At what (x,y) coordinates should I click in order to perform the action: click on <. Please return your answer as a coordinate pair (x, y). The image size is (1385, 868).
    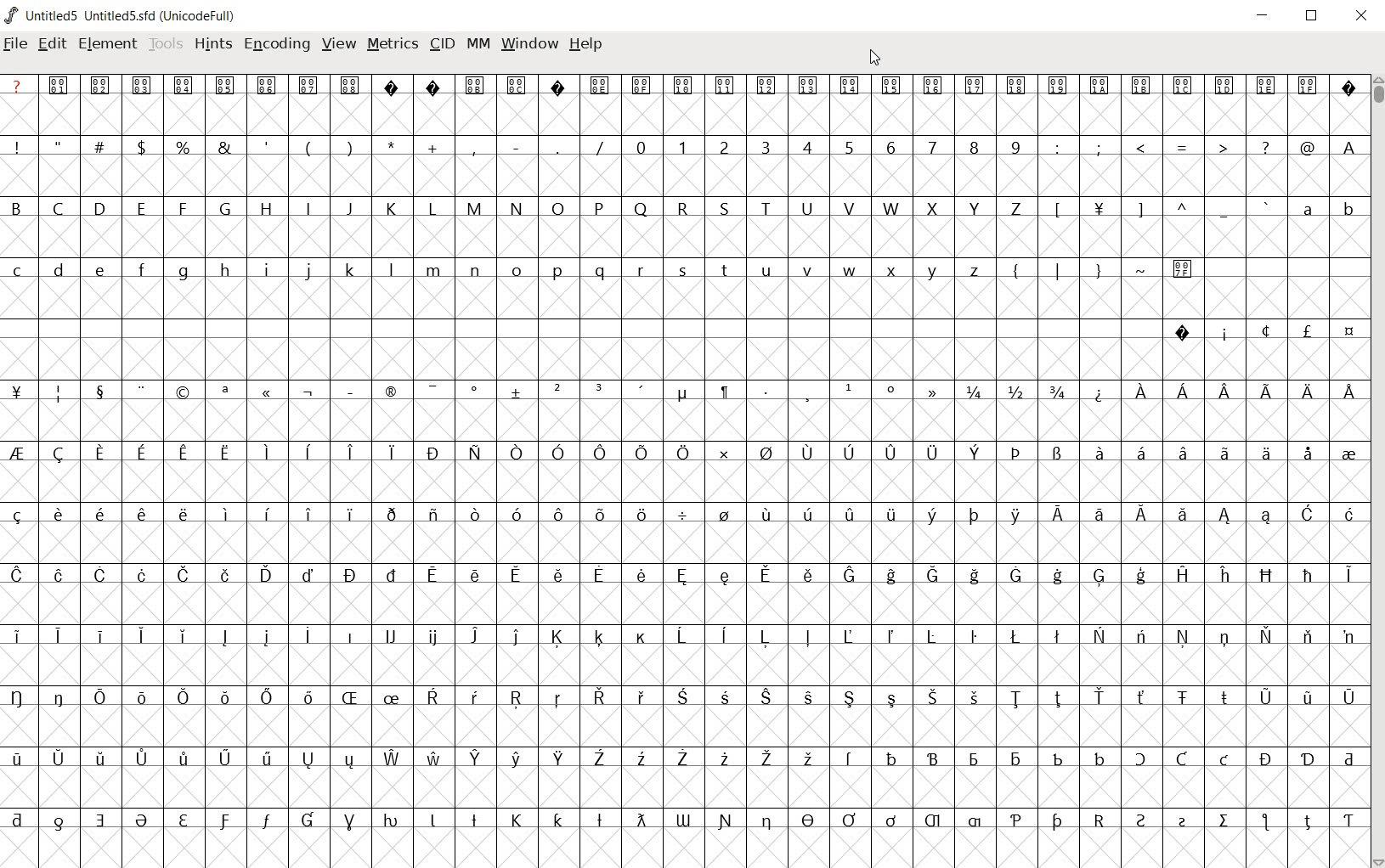
    Looking at the image, I should click on (1139, 148).